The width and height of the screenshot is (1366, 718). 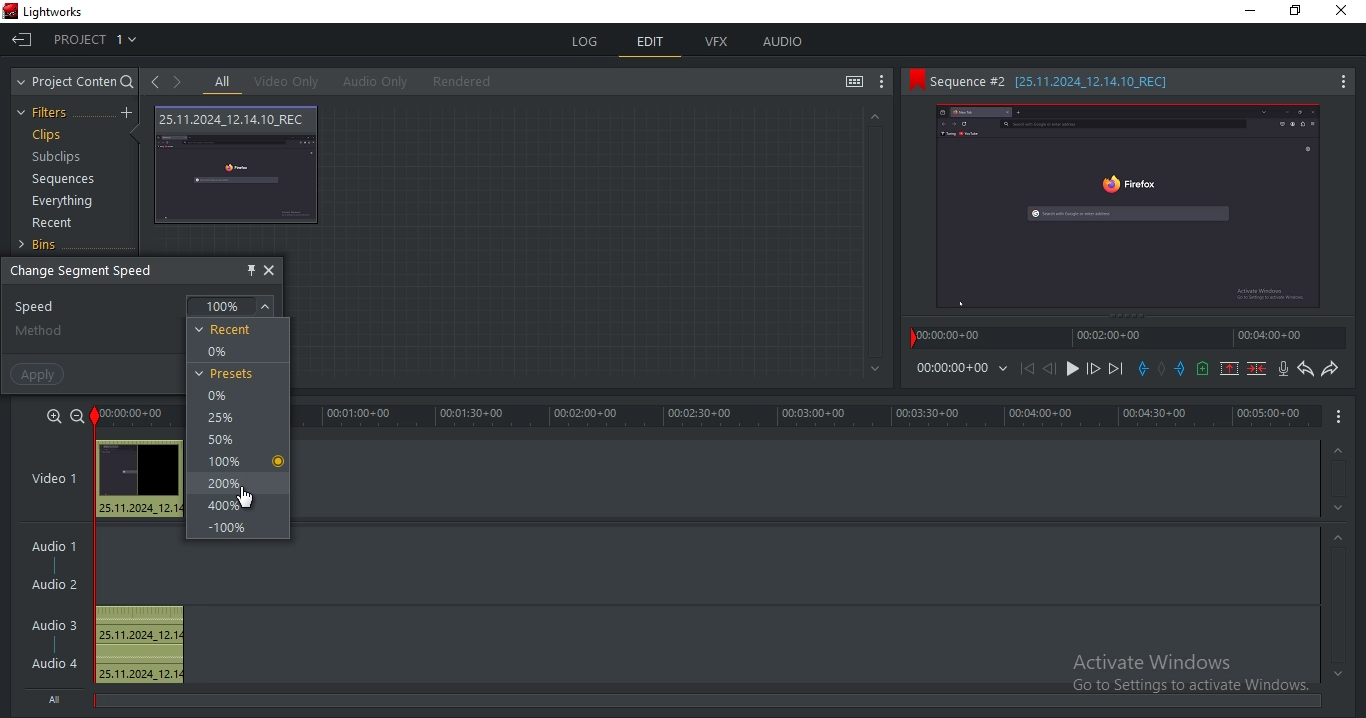 I want to click on video, so click(x=62, y=480).